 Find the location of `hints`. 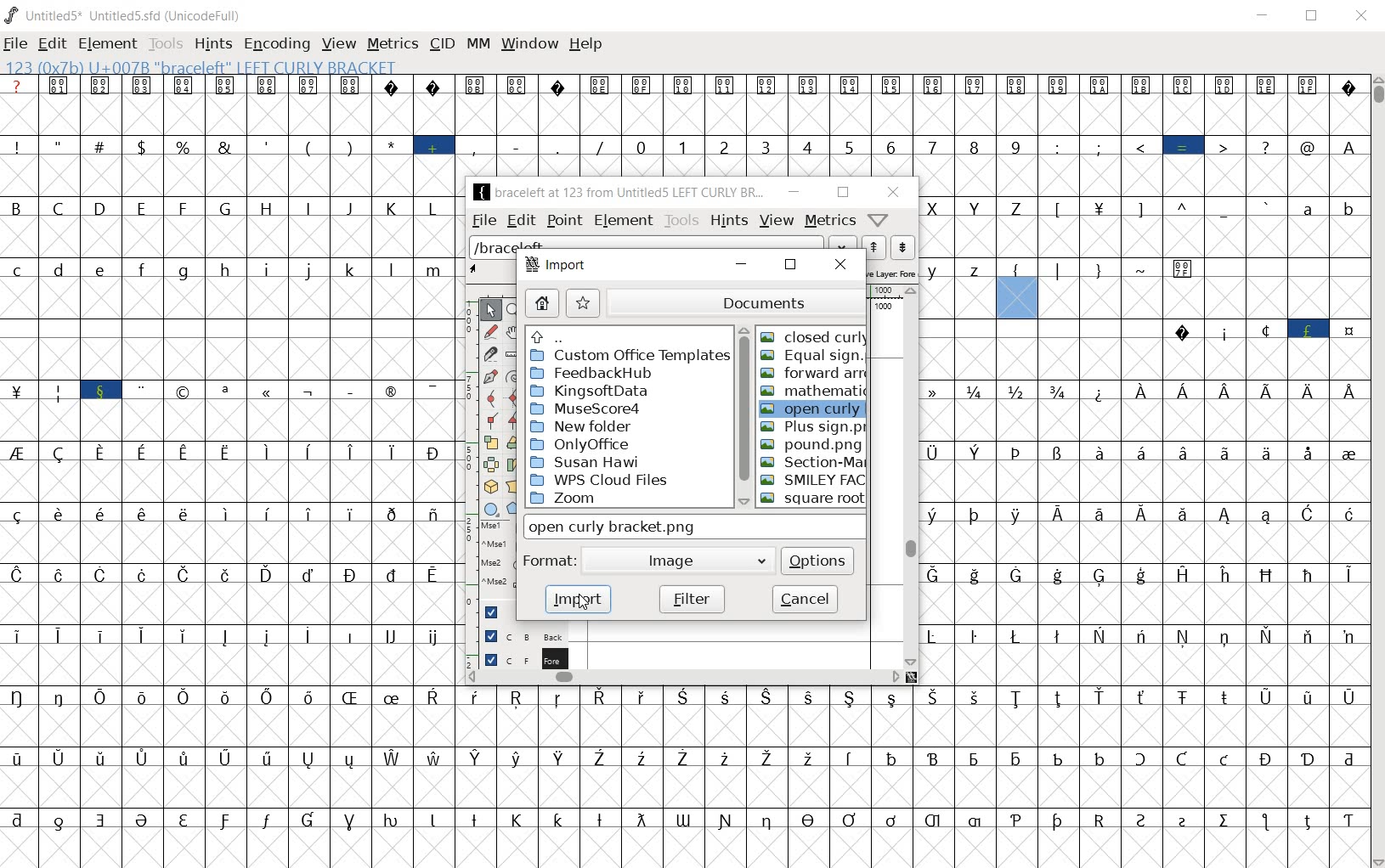

hints is located at coordinates (212, 44).